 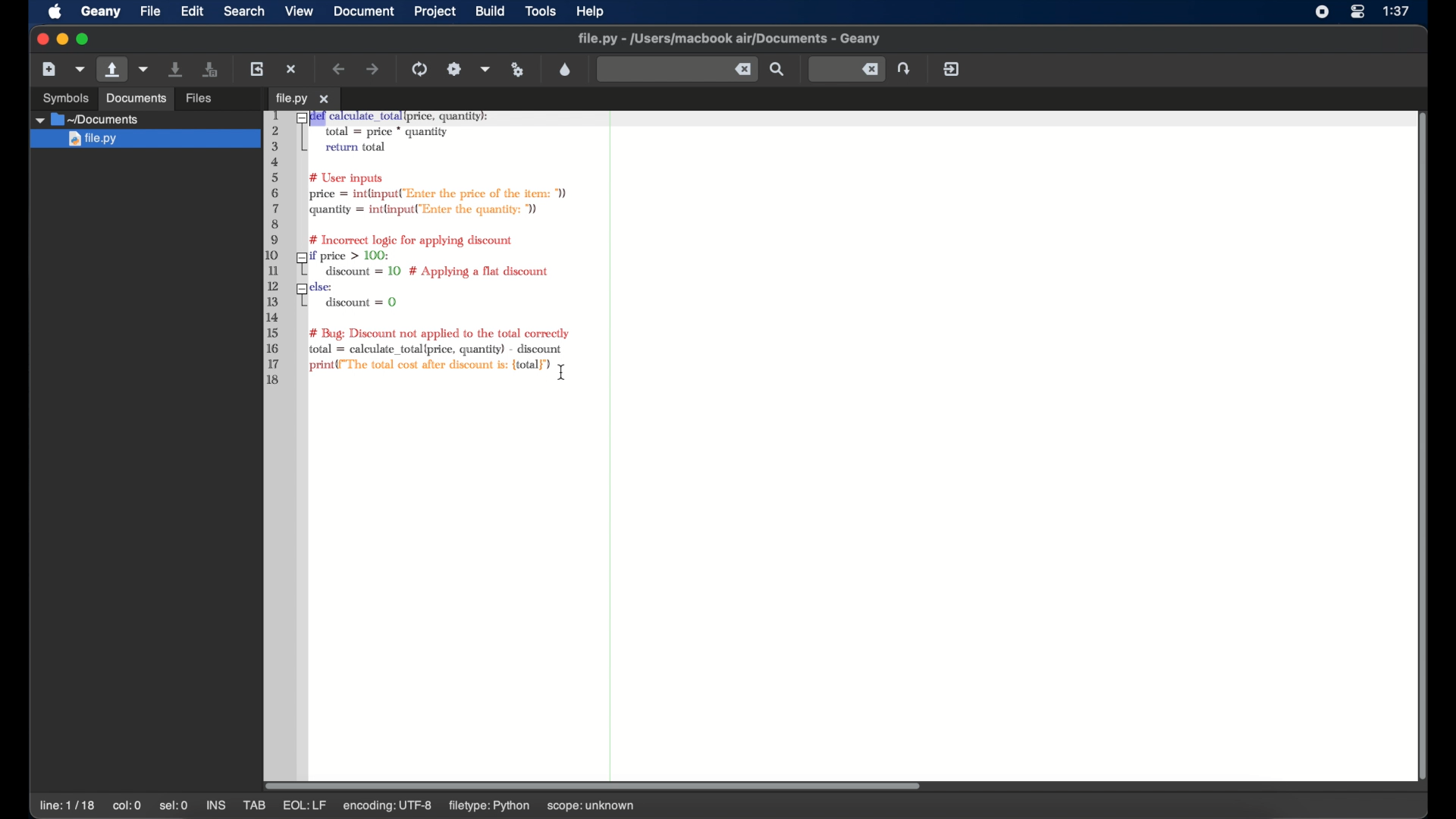 What do you see at coordinates (519, 69) in the screenshot?
I see `run or view current file` at bounding box center [519, 69].